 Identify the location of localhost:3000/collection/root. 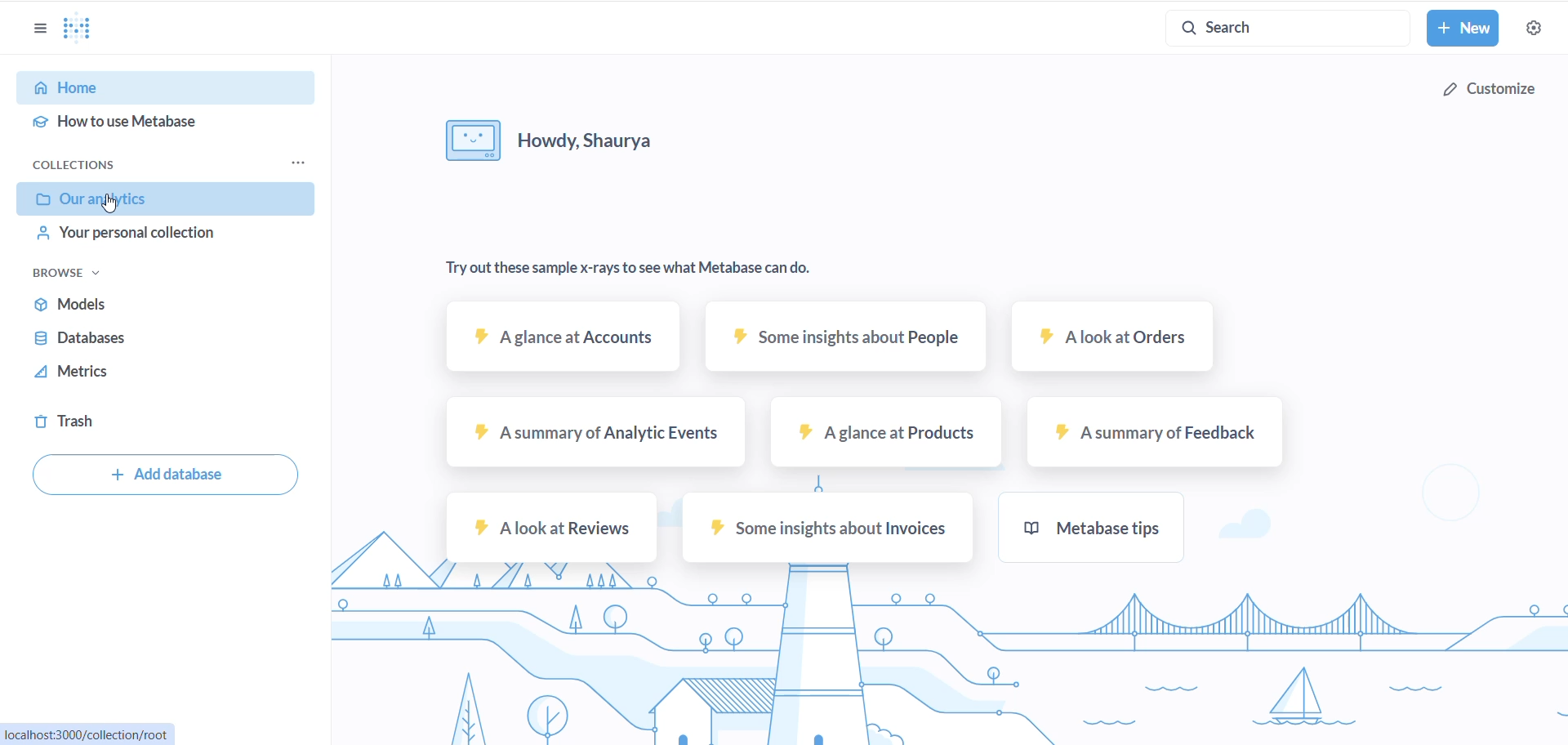
(91, 733).